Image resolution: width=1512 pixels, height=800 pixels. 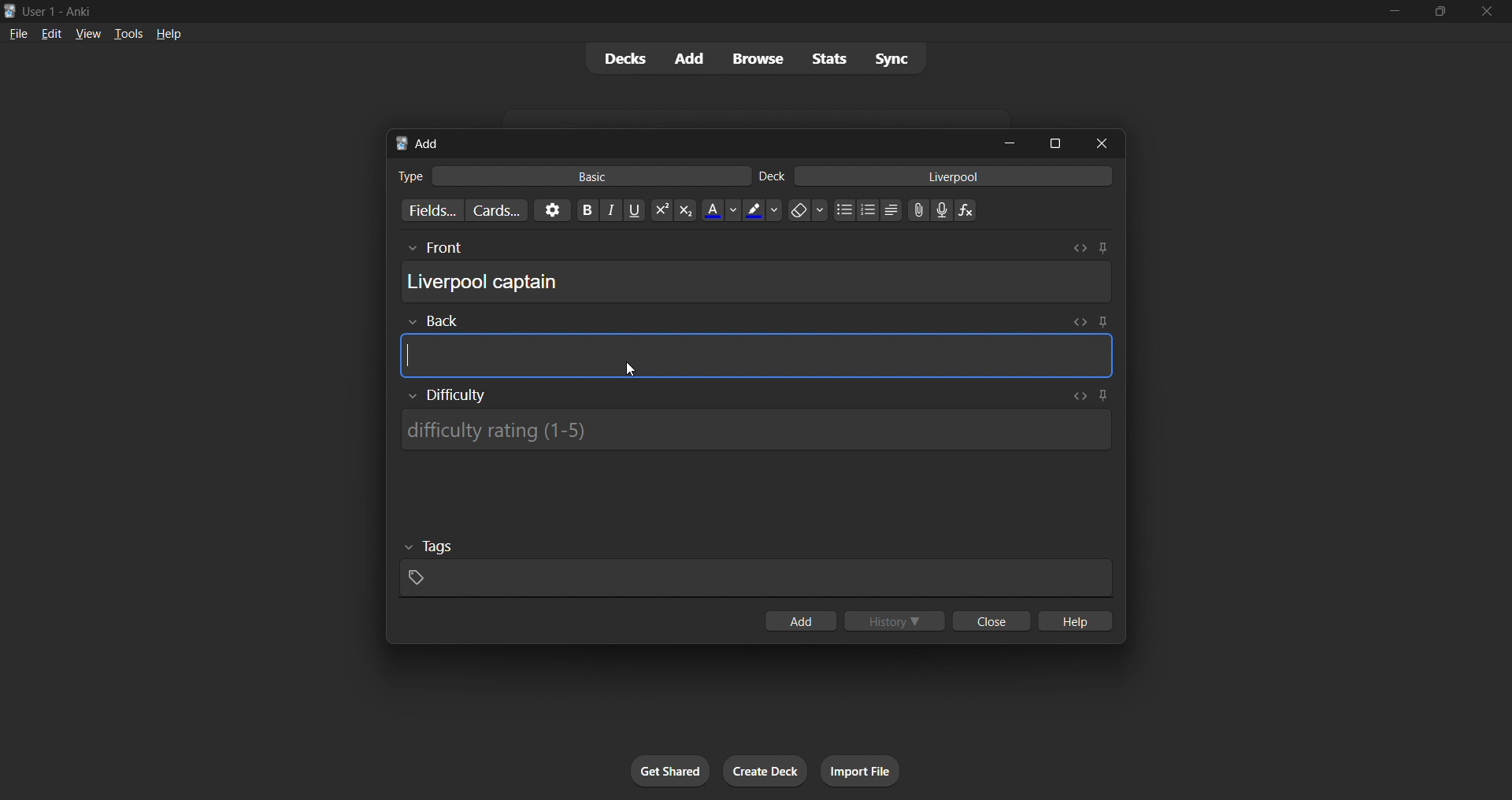 I want to click on close, so click(x=991, y=620).